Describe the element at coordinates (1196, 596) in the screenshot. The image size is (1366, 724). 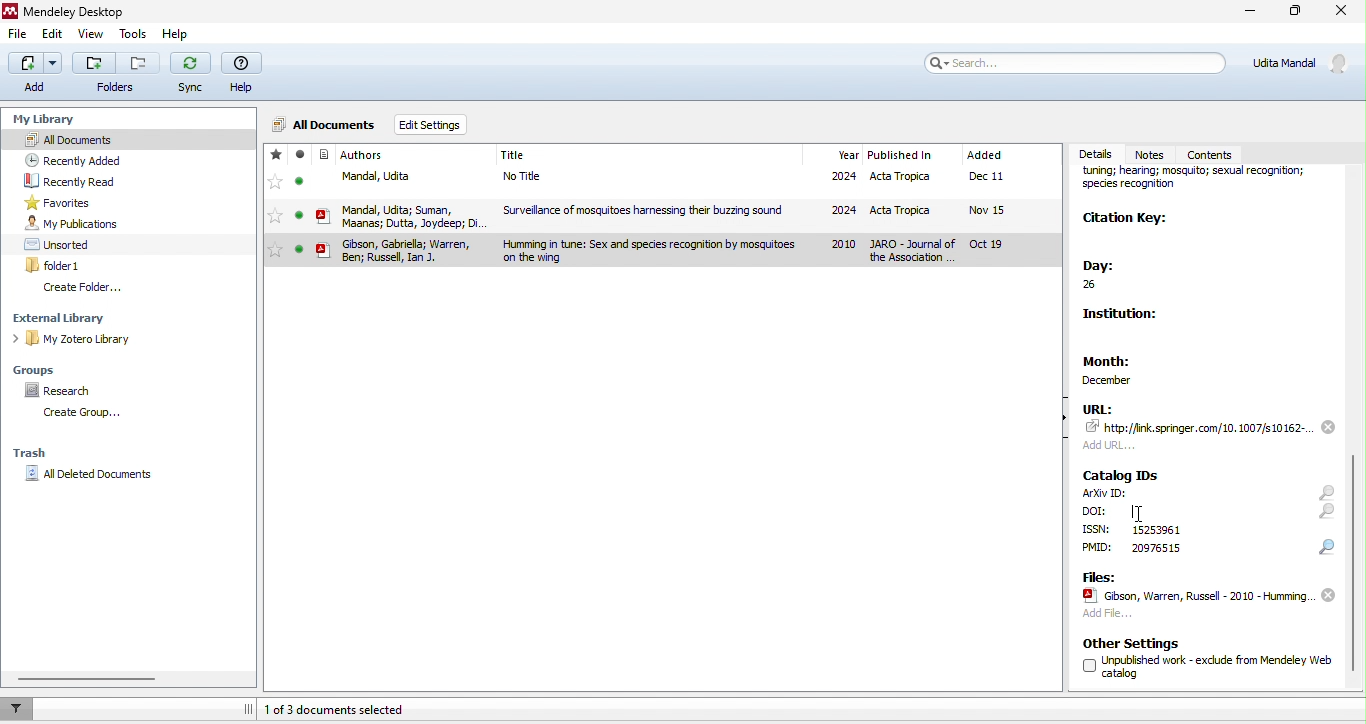
I see `file` at that location.